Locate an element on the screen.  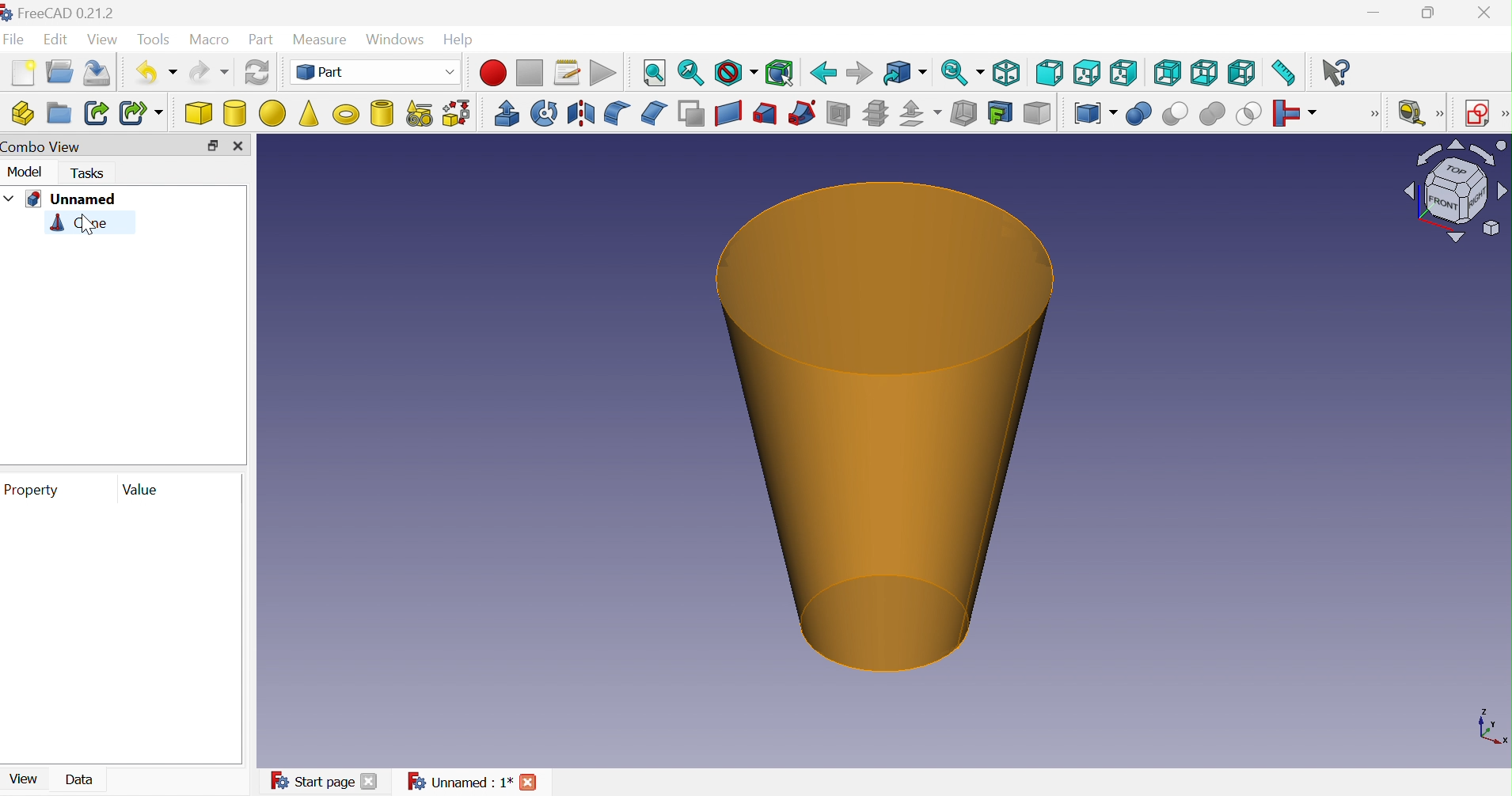
Restore down is located at coordinates (212, 145).